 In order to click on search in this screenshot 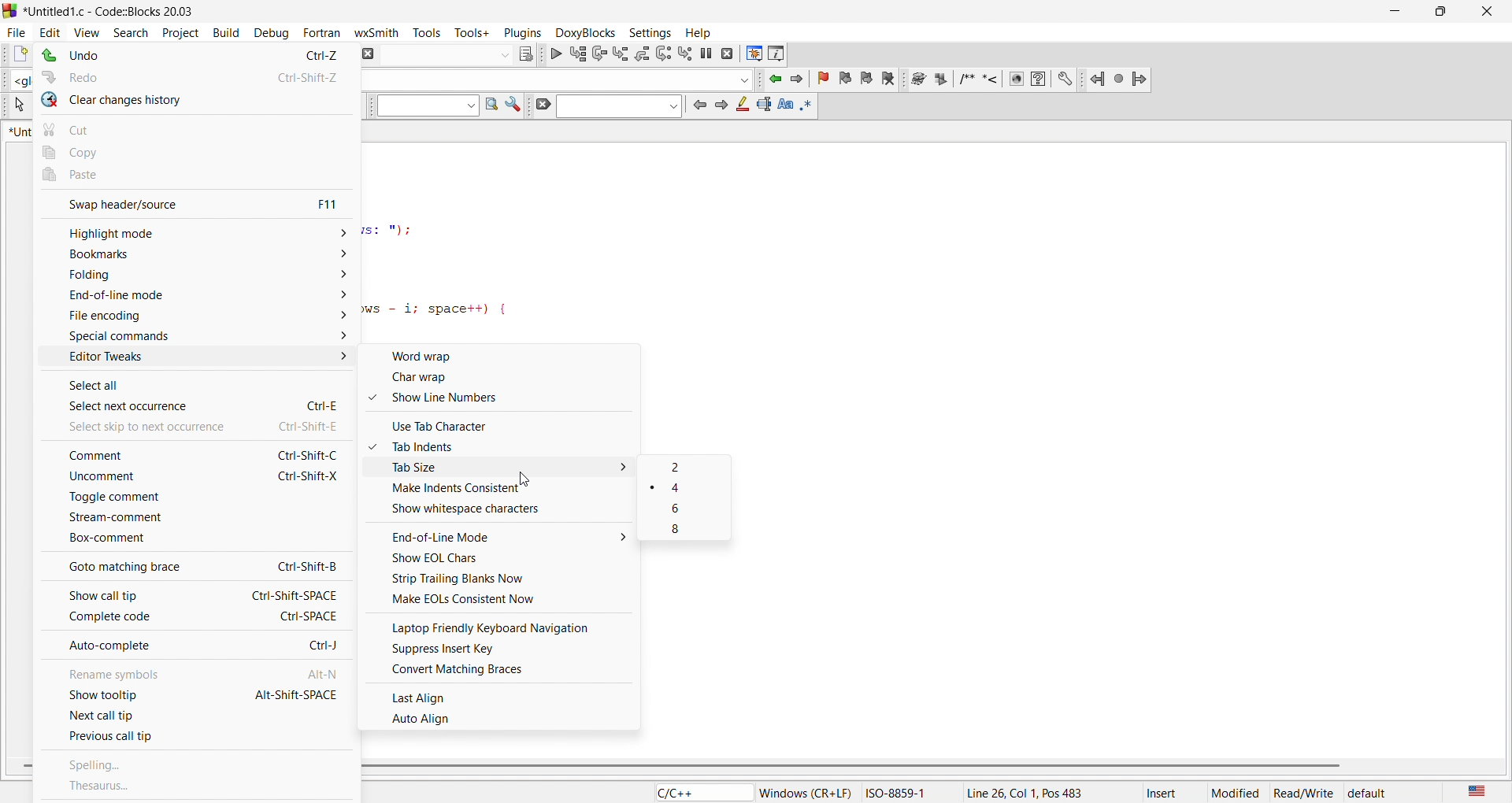, I will do `click(135, 30)`.